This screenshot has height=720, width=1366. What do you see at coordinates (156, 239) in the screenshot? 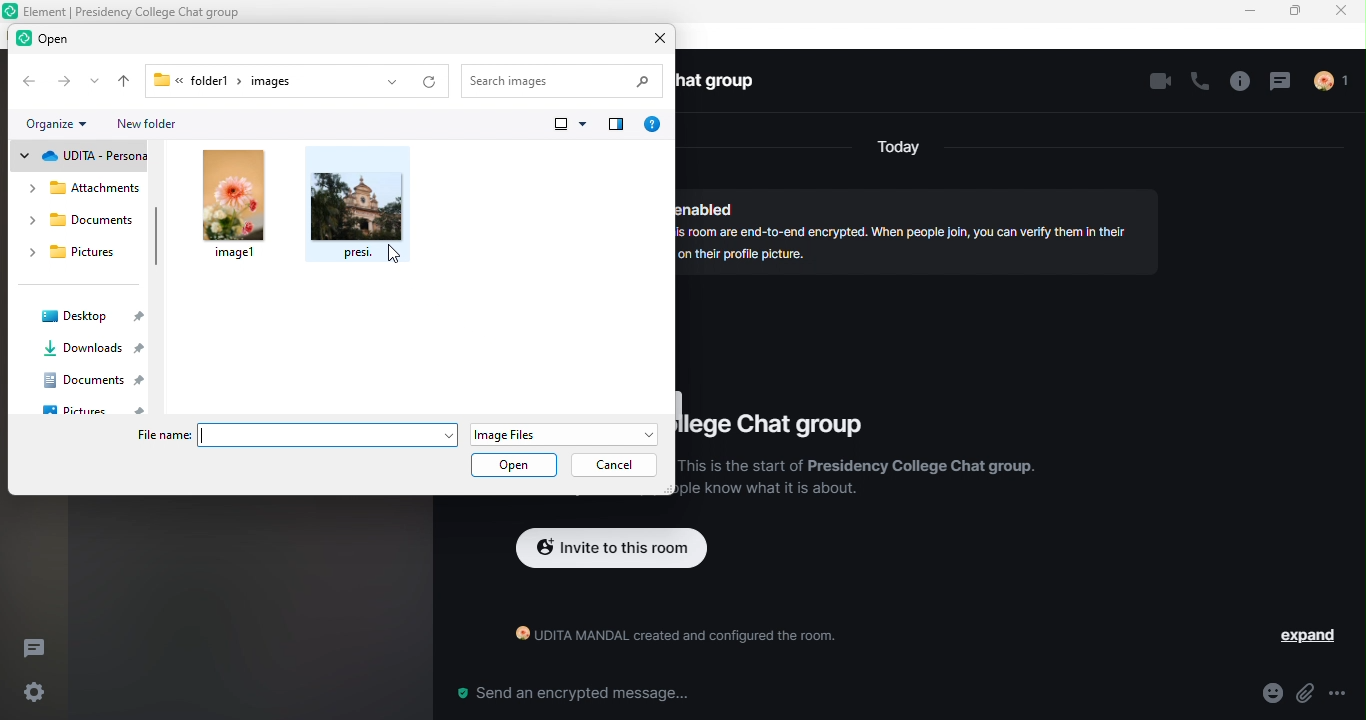
I see `vertical scroll bar` at bounding box center [156, 239].